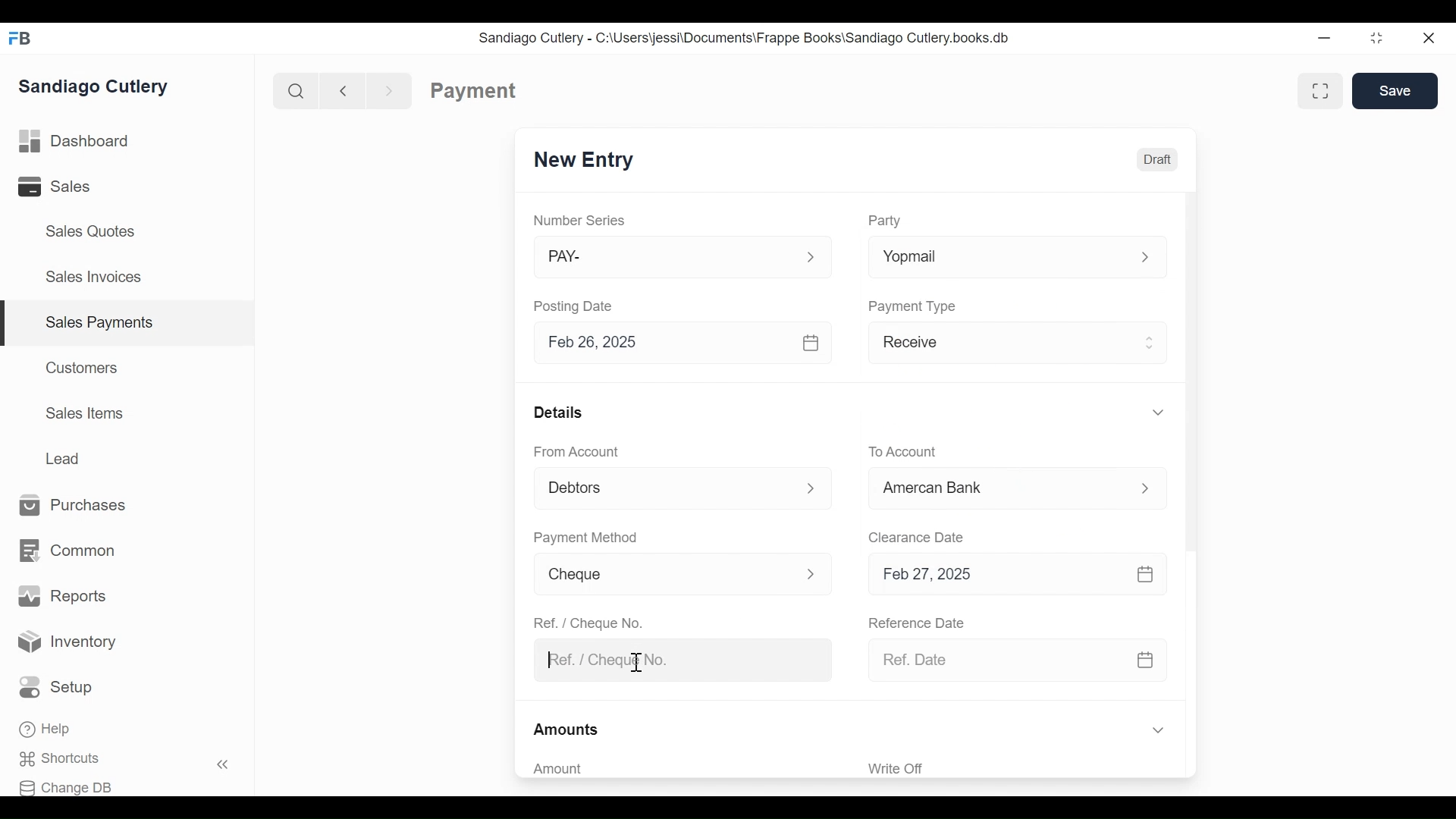  Describe the element at coordinates (996, 660) in the screenshot. I see `Ref. Date` at that location.